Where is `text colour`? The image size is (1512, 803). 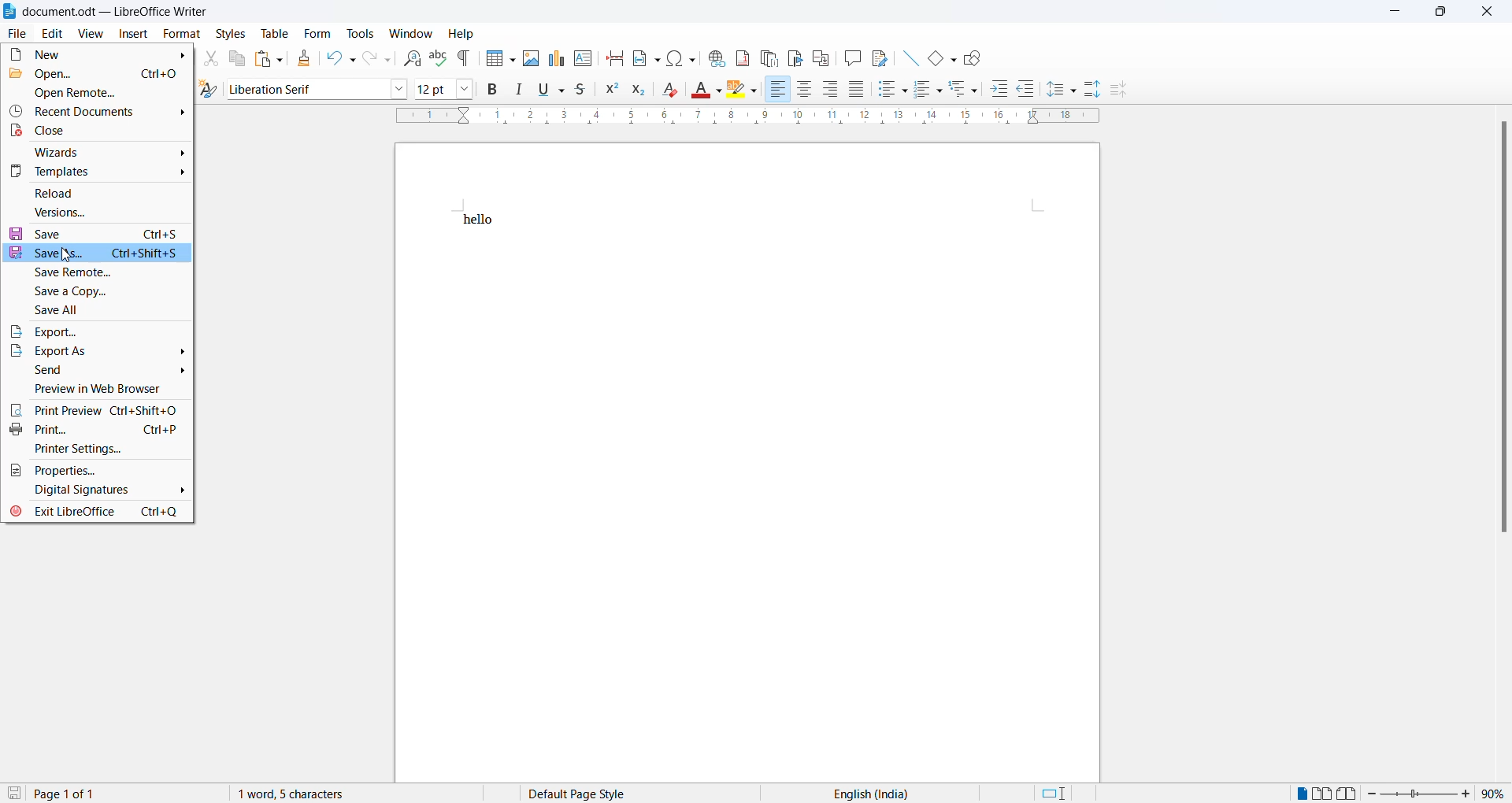 text colour is located at coordinates (707, 89).